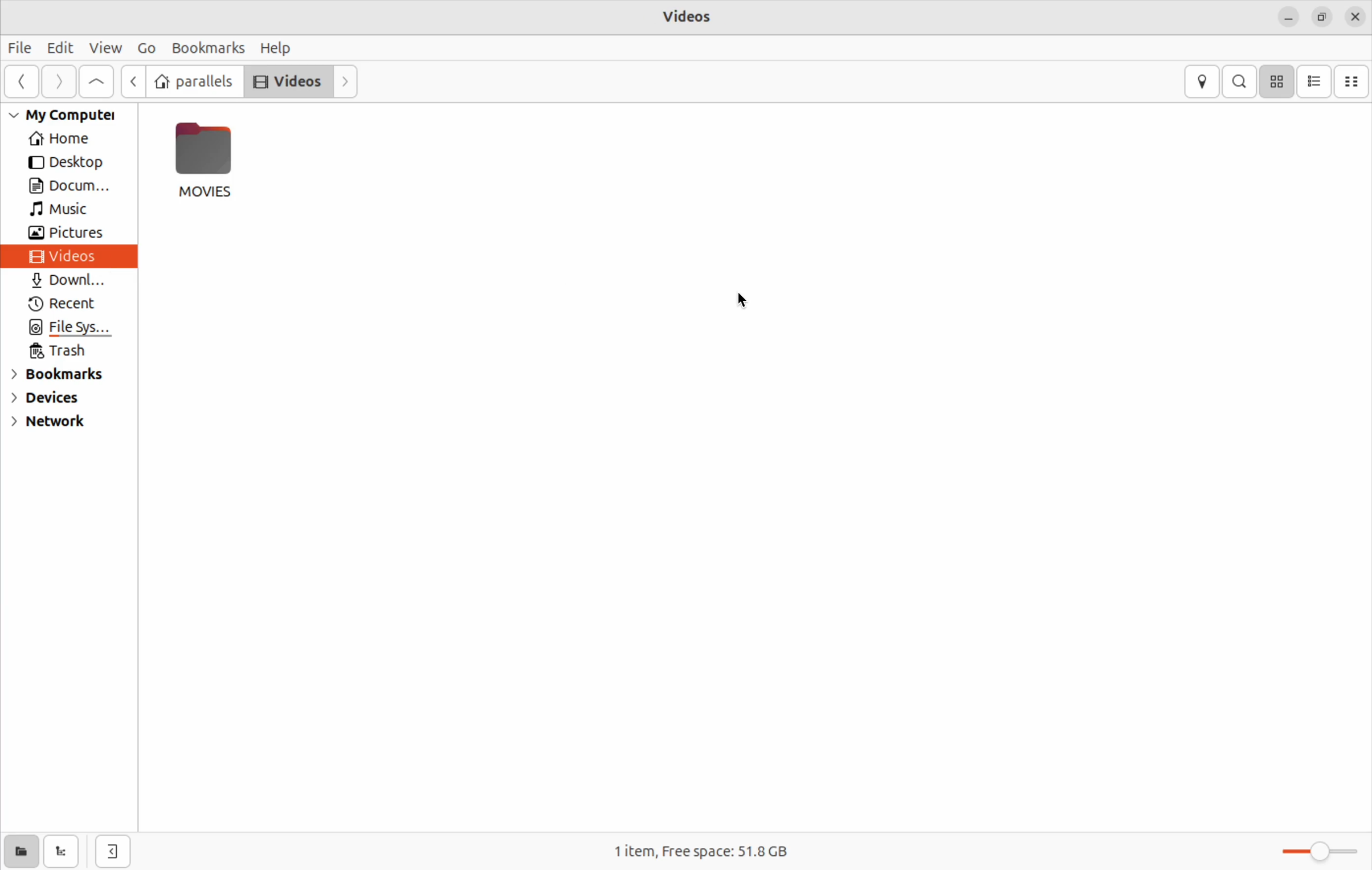 The width and height of the screenshot is (1372, 870). I want to click on My Computer, so click(72, 117).